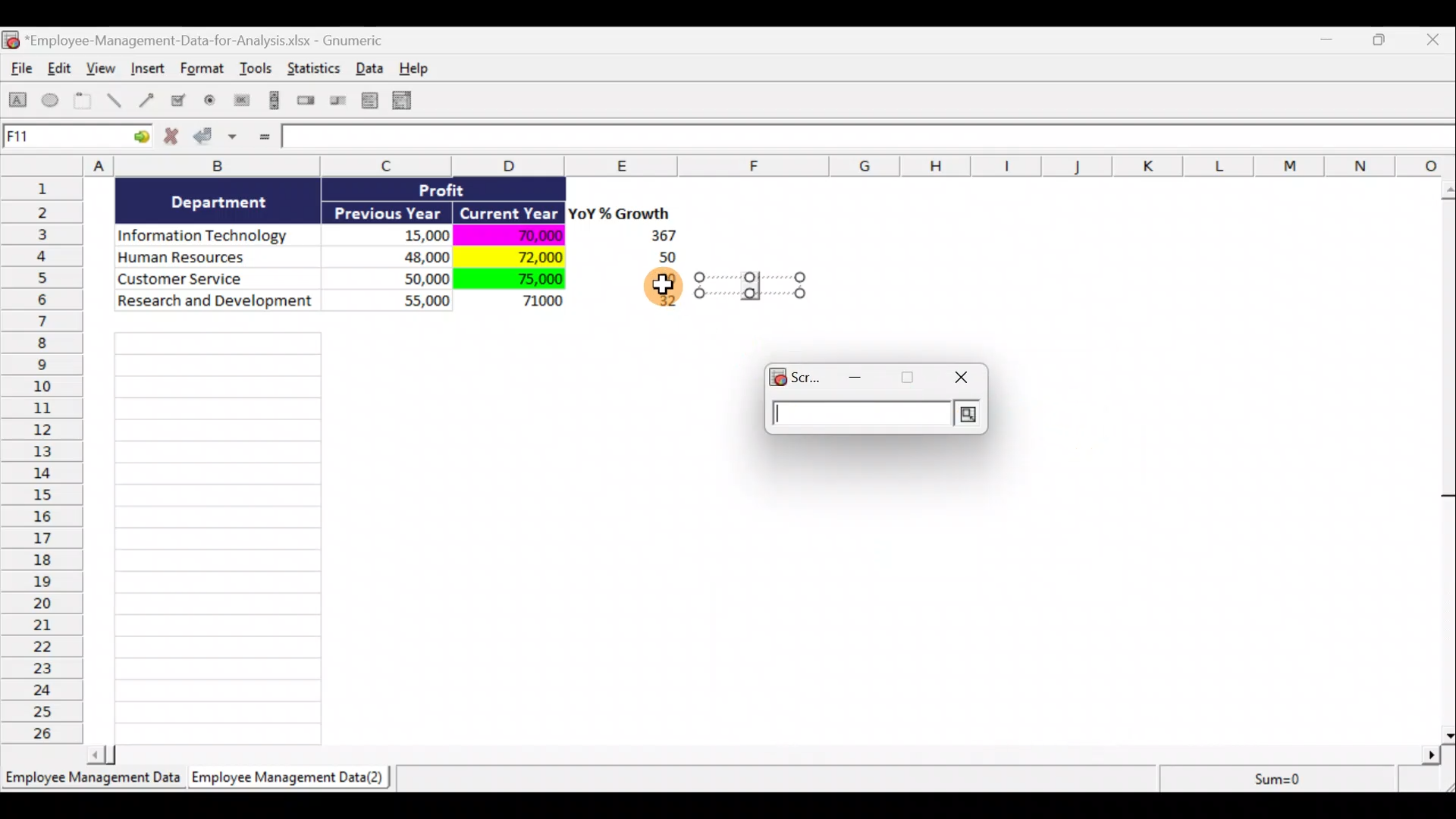  What do you see at coordinates (1387, 38) in the screenshot?
I see `Maximise` at bounding box center [1387, 38].